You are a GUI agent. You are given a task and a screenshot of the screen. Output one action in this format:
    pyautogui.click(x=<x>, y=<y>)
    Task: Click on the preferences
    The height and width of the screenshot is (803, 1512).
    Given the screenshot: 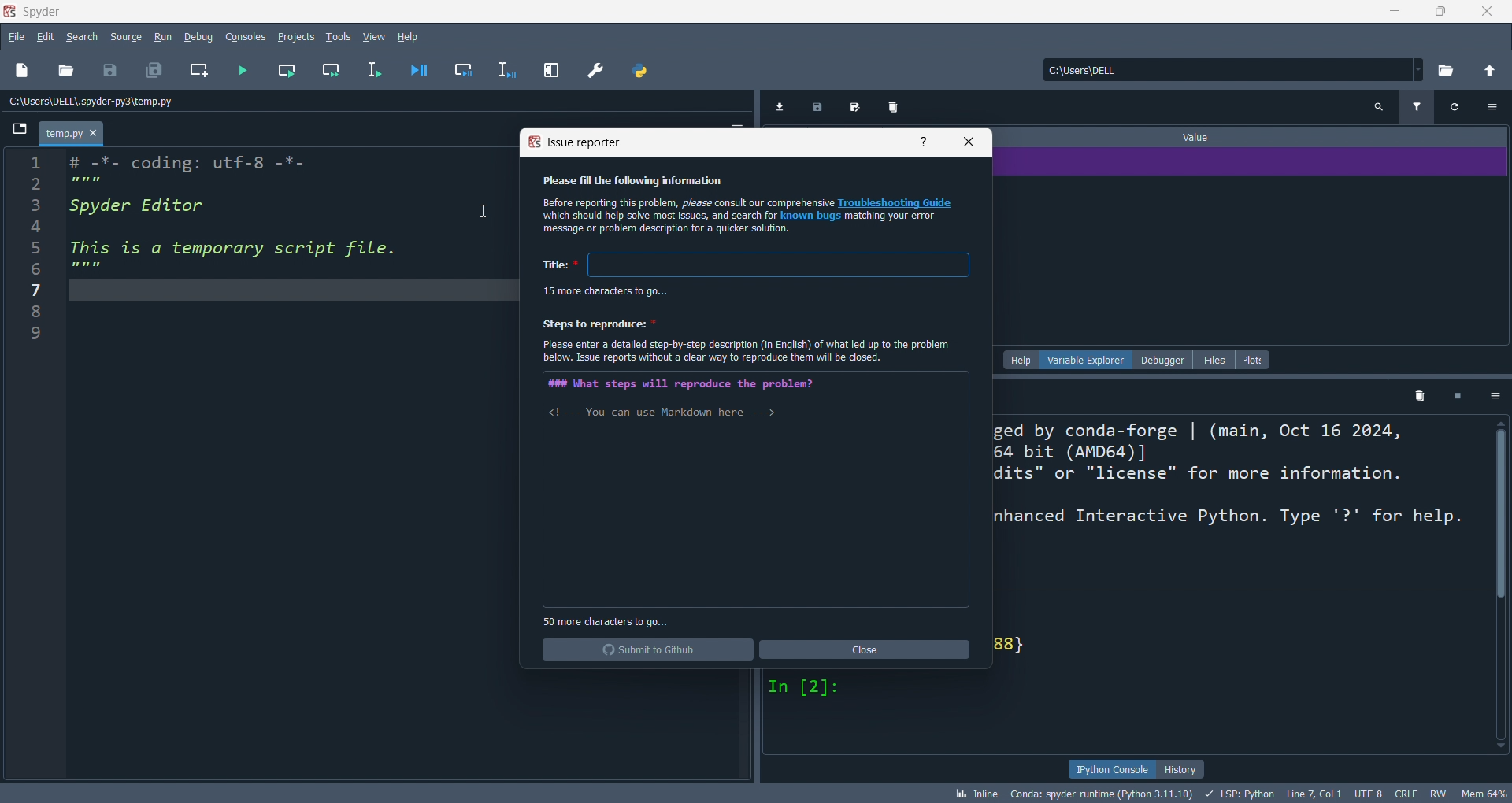 What is the action you would take?
    pyautogui.click(x=597, y=70)
    